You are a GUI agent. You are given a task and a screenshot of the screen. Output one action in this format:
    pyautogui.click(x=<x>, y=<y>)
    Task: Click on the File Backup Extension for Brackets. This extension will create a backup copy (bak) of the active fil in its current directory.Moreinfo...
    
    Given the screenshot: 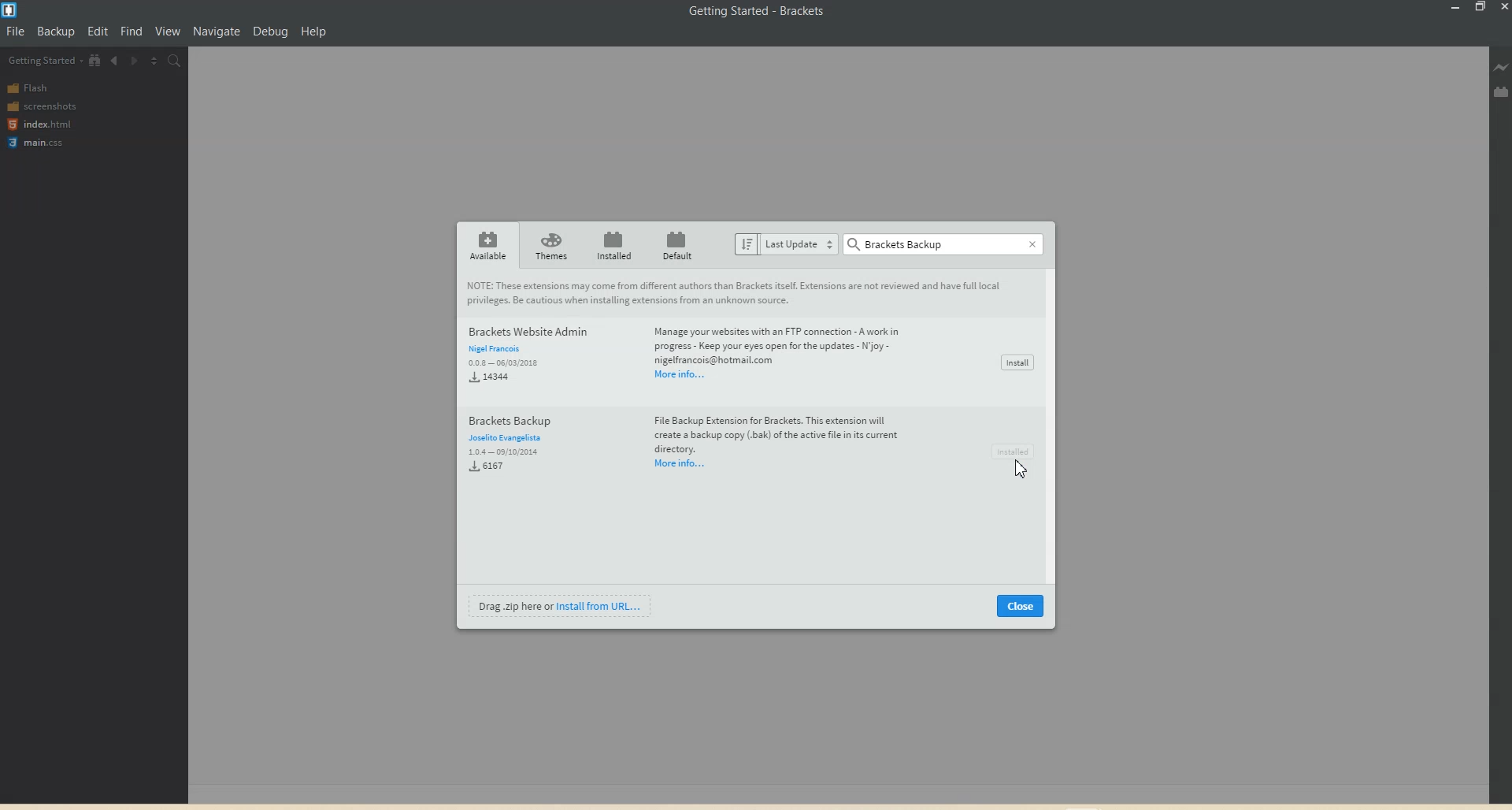 What is the action you would take?
    pyautogui.click(x=775, y=442)
    